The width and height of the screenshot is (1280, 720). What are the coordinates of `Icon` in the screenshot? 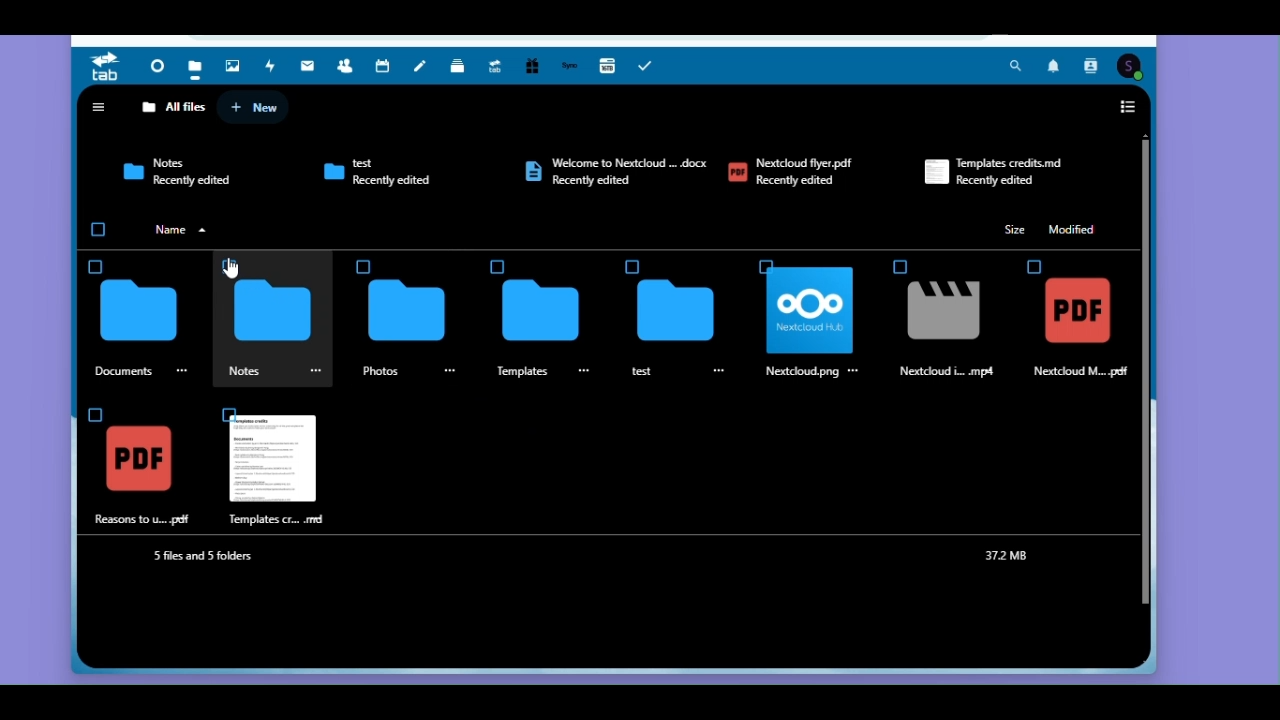 It's located at (146, 461).